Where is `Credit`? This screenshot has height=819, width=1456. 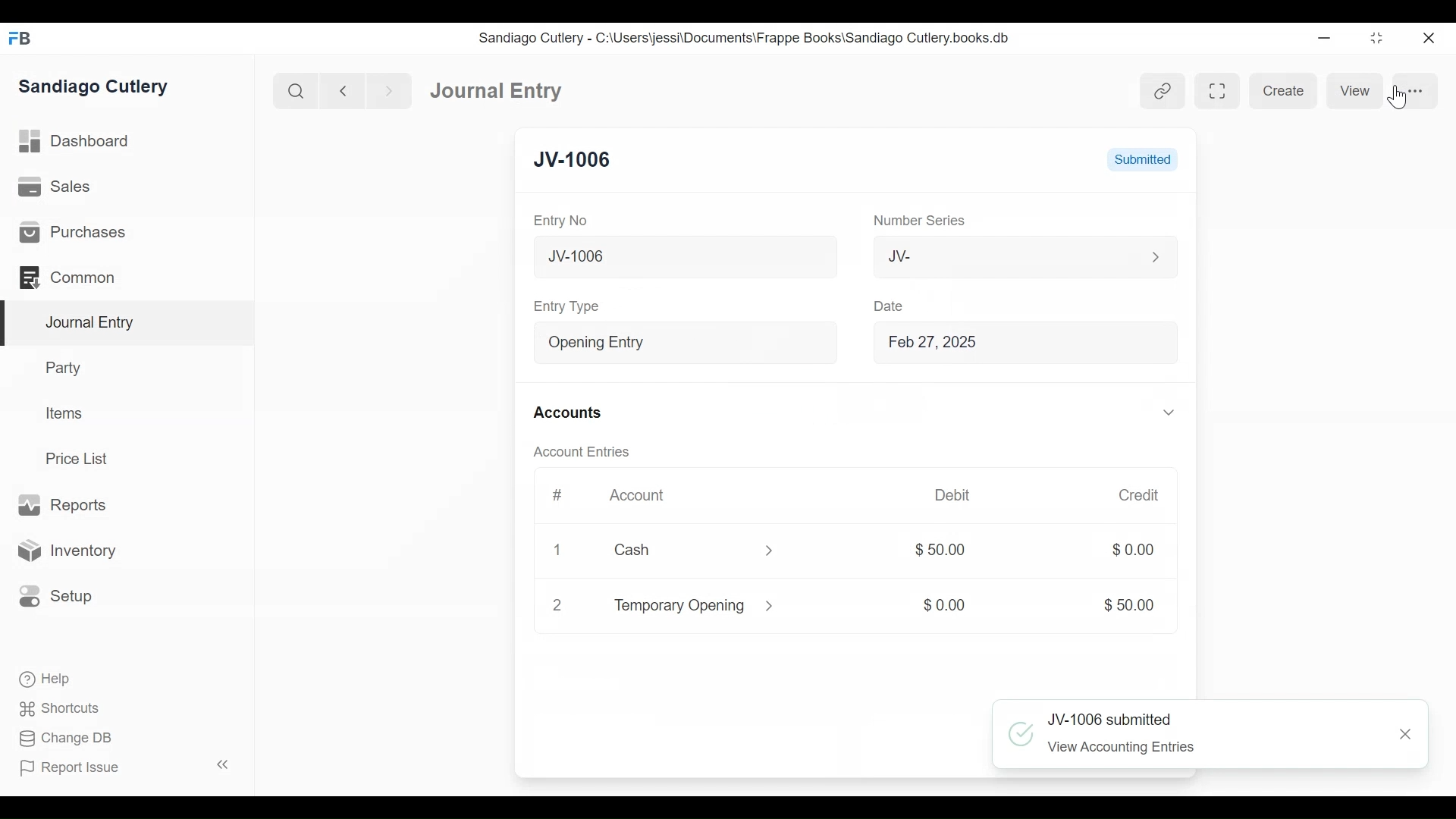
Credit is located at coordinates (1130, 495).